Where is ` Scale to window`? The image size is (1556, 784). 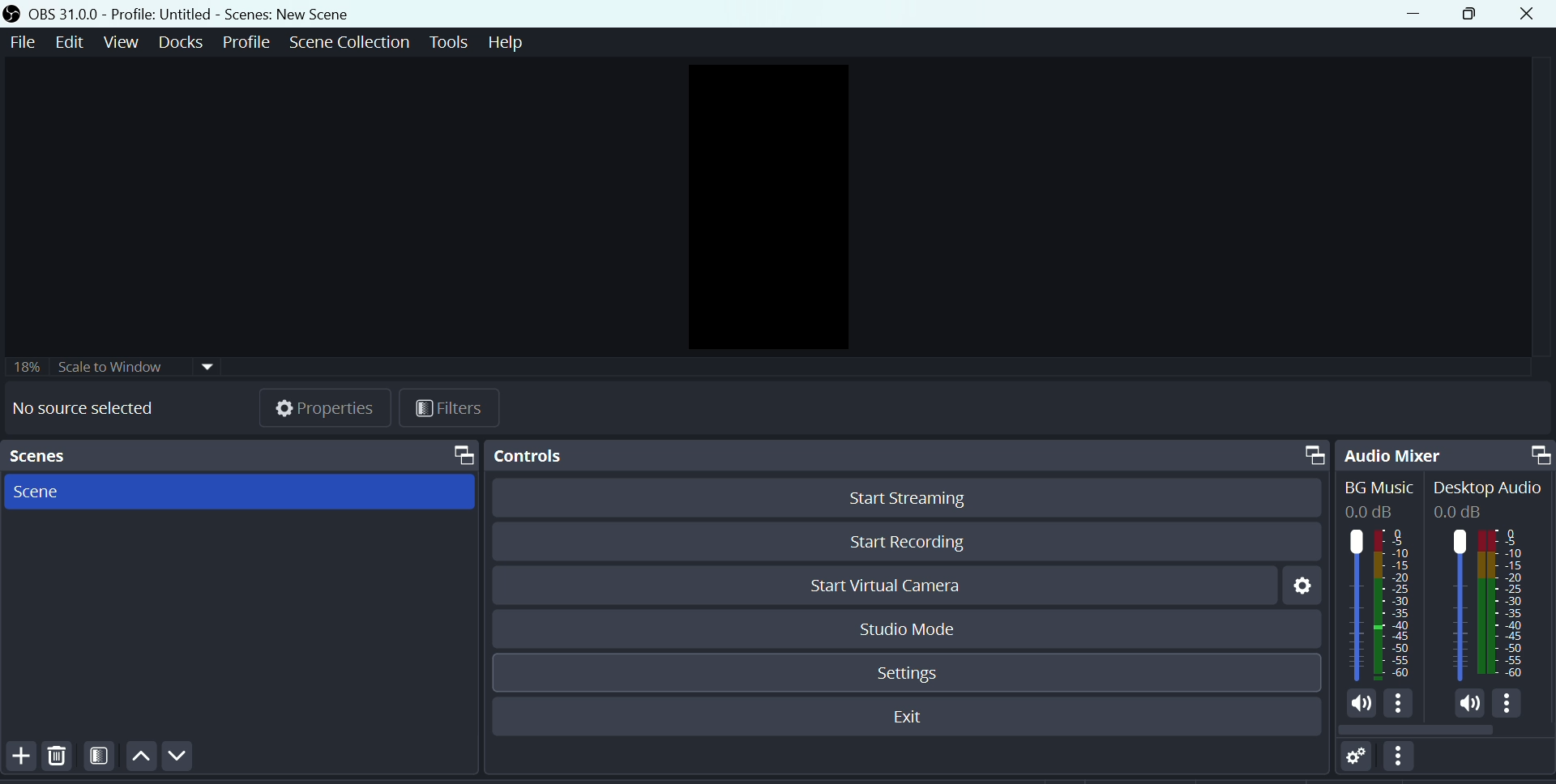
 Scale to window is located at coordinates (118, 366).